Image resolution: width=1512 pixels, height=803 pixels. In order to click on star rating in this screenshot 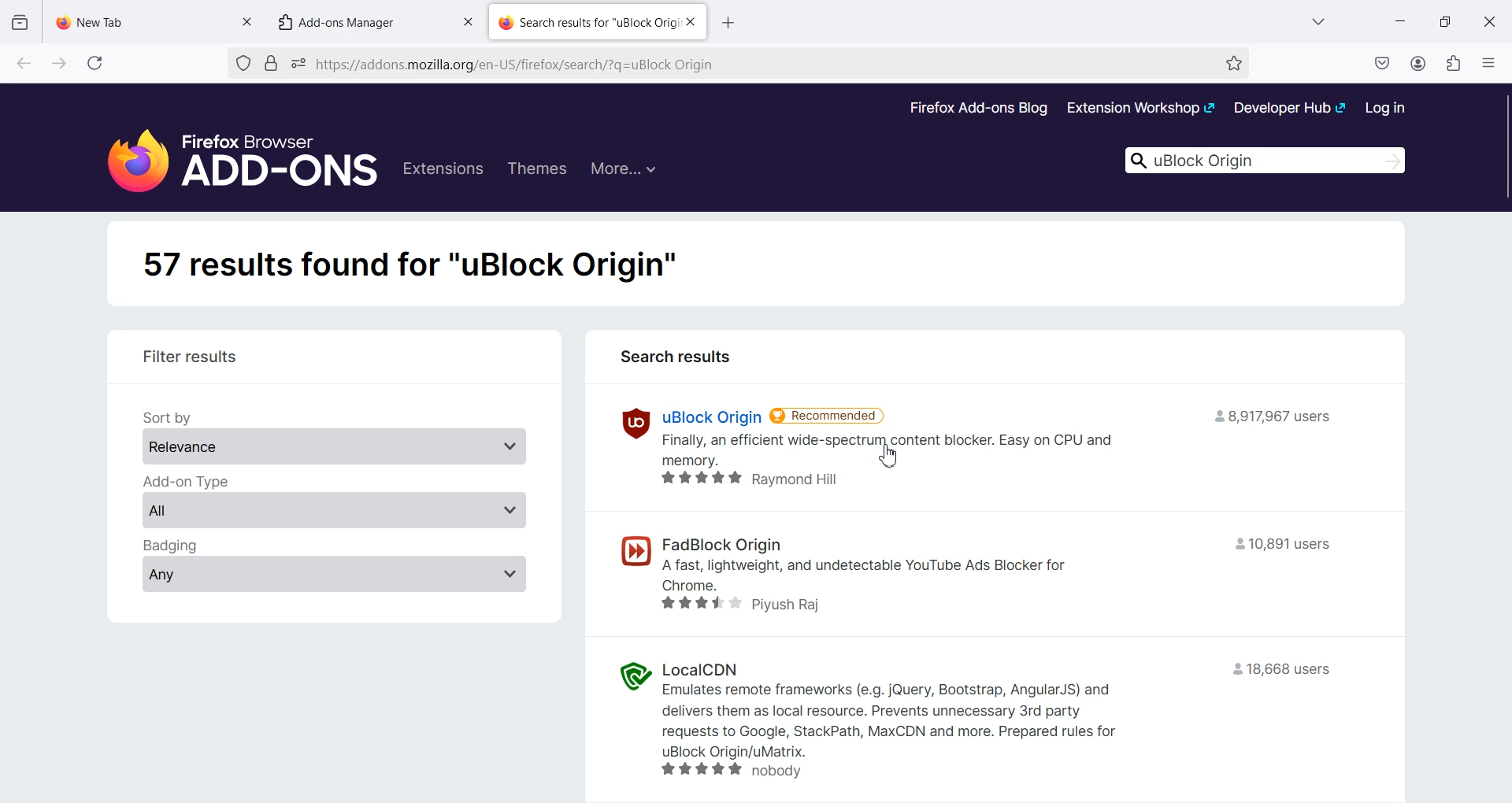, I will do `click(700, 768)`.